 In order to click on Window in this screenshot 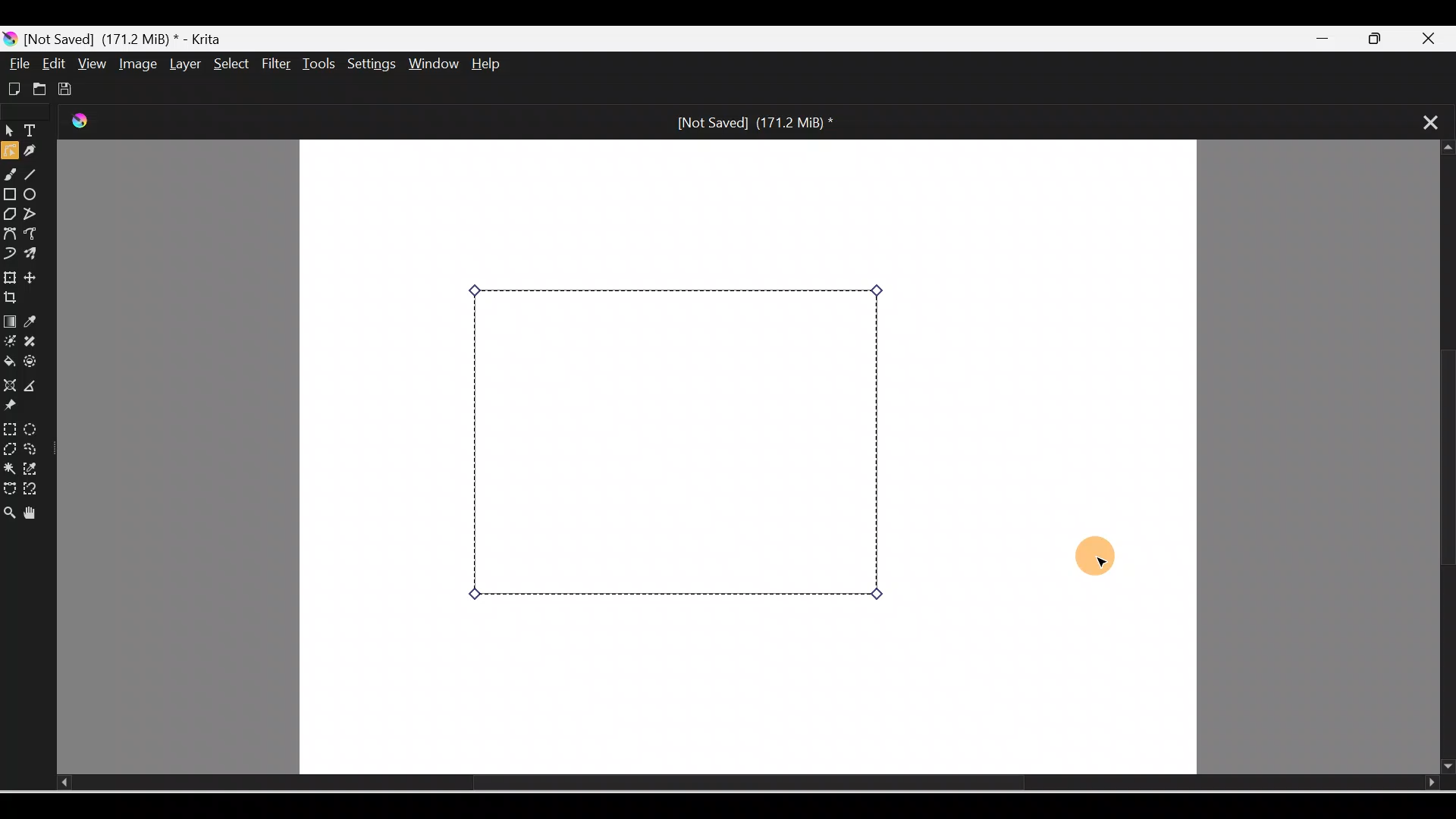, I will do `click(436, 65)`.